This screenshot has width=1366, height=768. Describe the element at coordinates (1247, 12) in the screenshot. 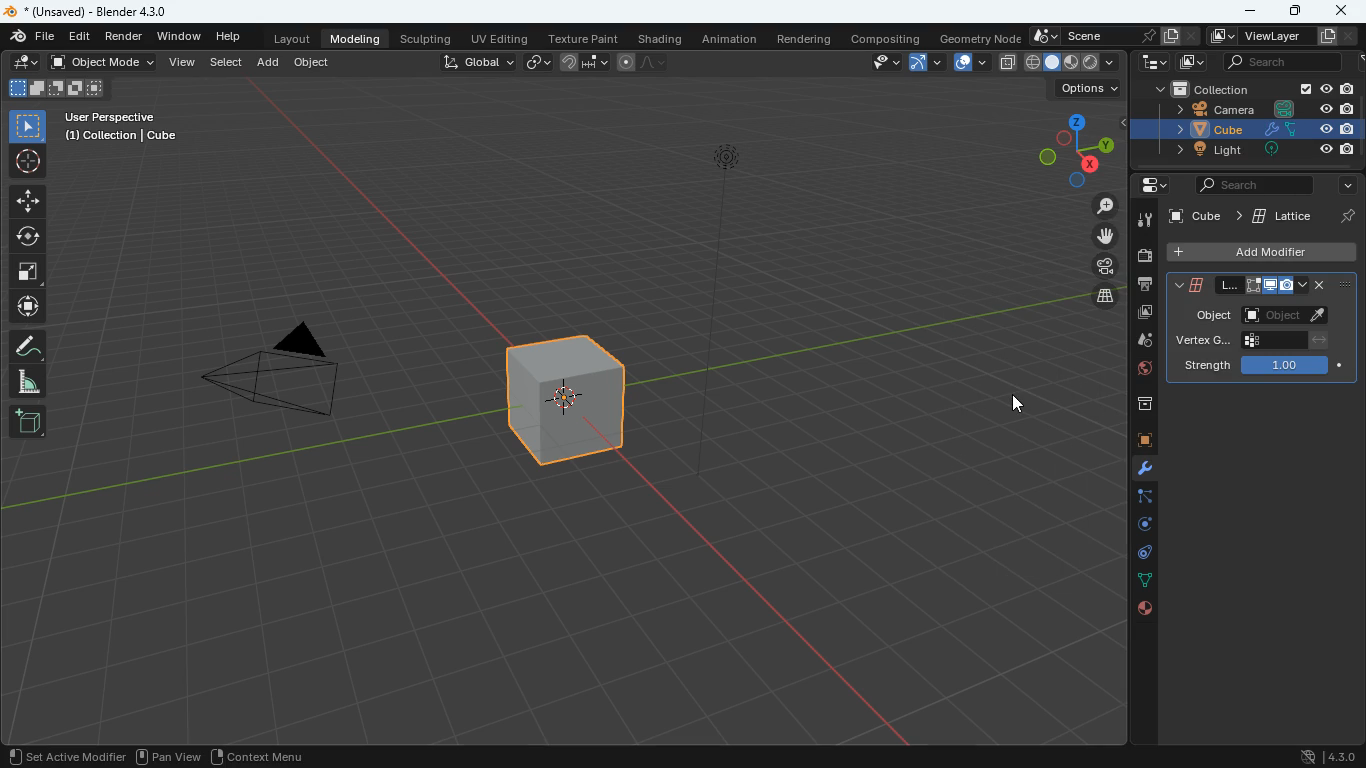

I see `minimize` at that location.